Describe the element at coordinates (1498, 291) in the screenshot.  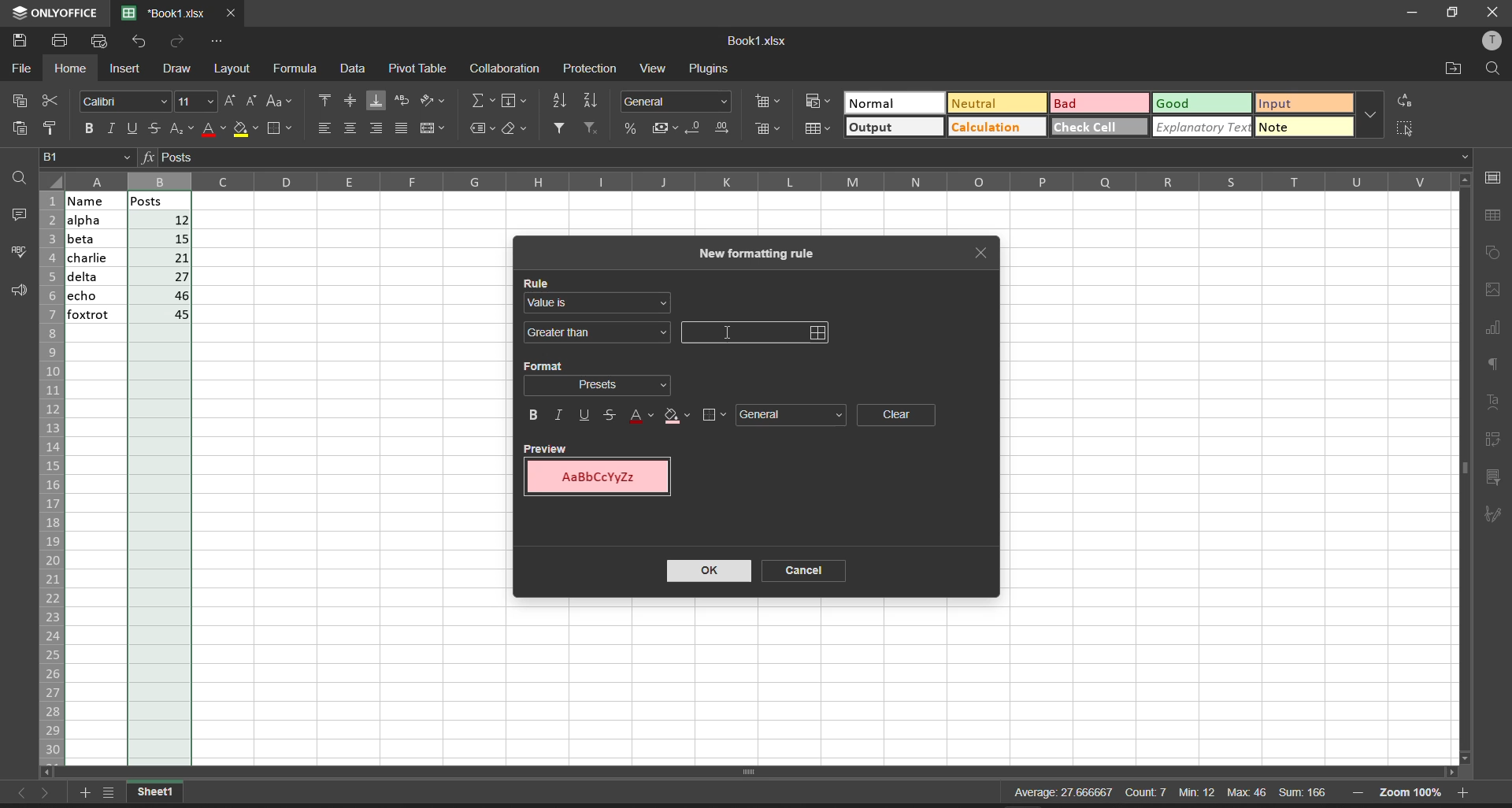
I see `image settings` at that location.